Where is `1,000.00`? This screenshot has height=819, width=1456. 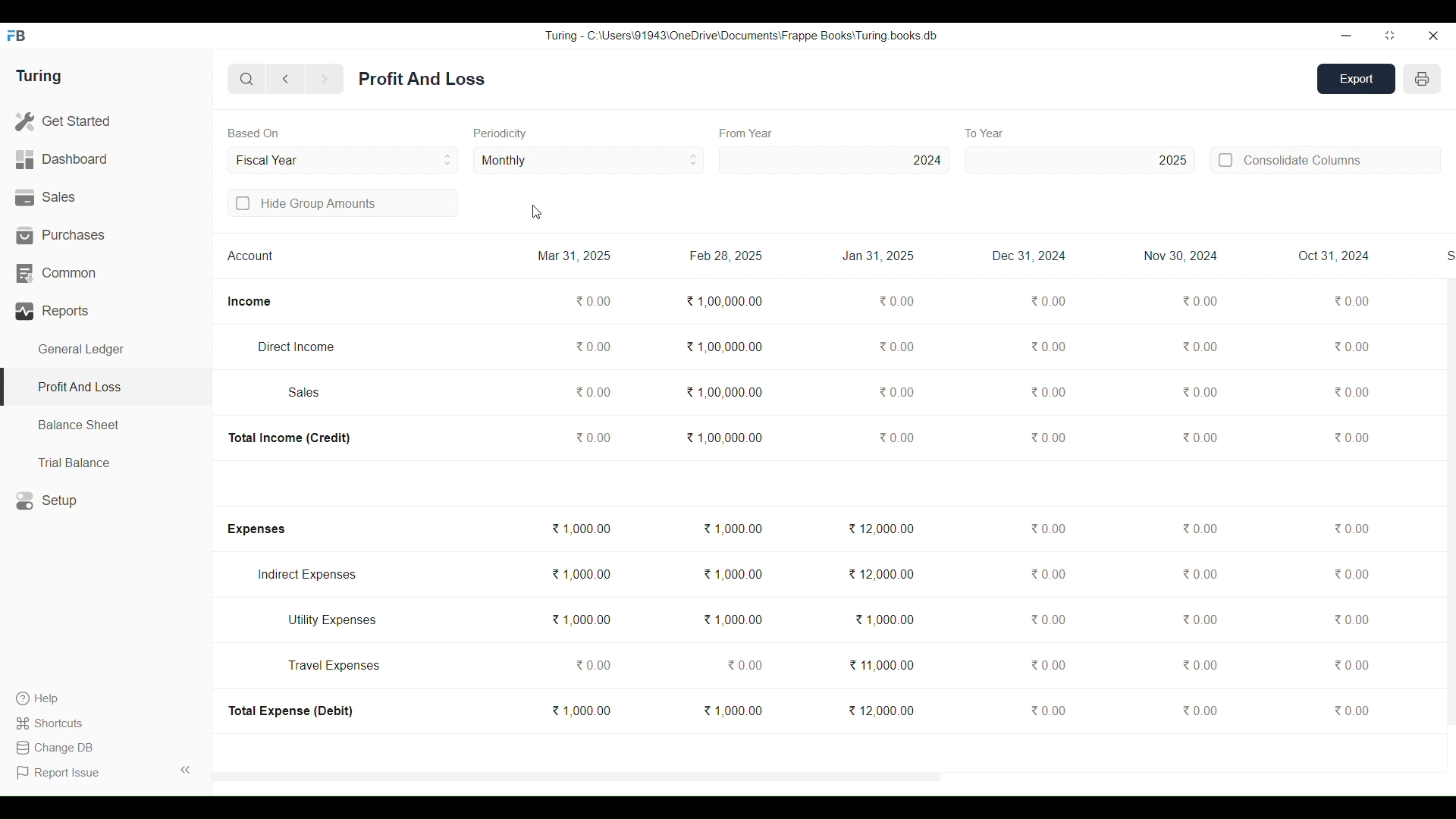 1,000.00 is located at coordinates (733, 711).